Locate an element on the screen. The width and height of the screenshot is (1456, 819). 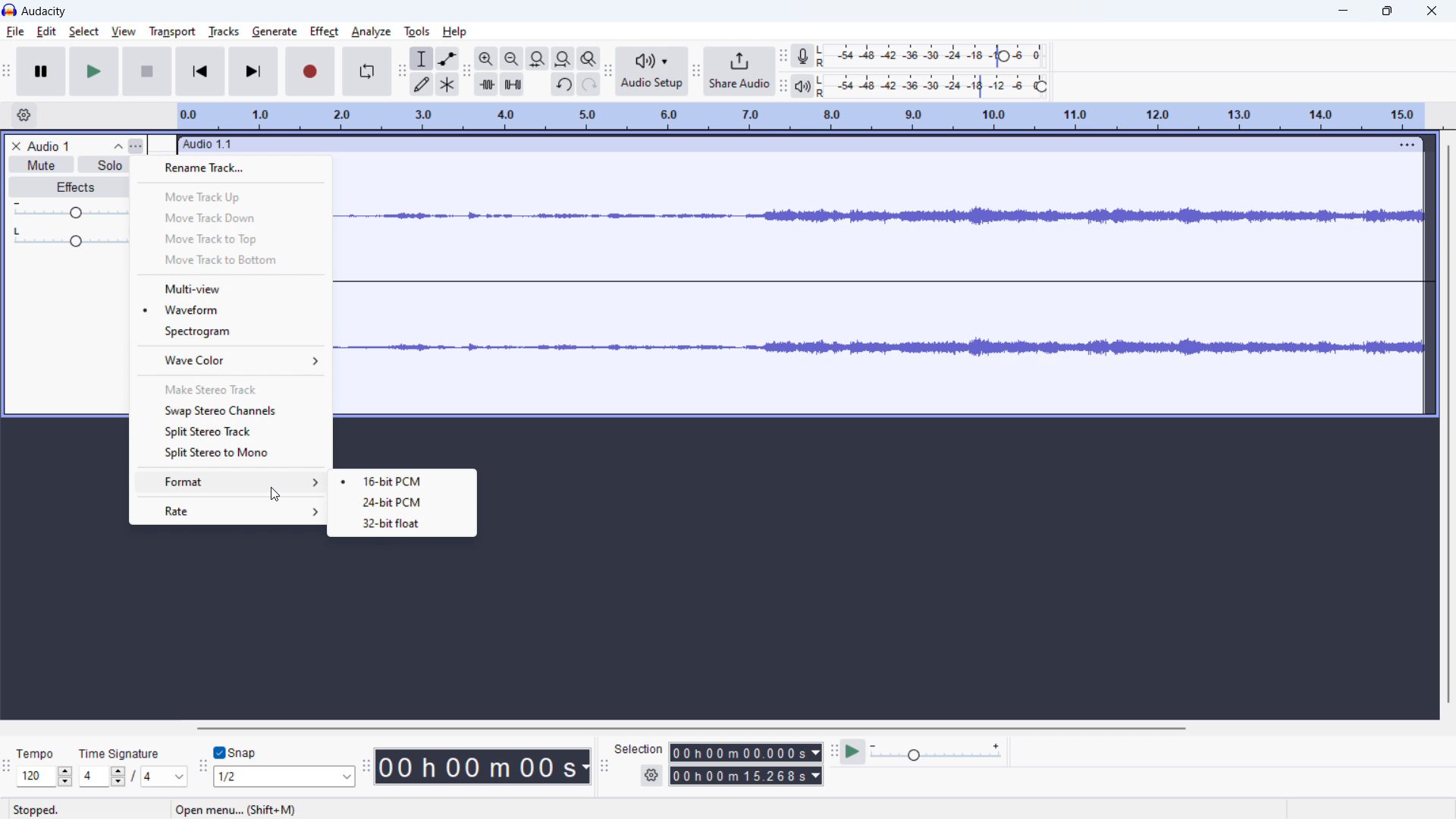
Open Menu is located at coordinates (234, 809).